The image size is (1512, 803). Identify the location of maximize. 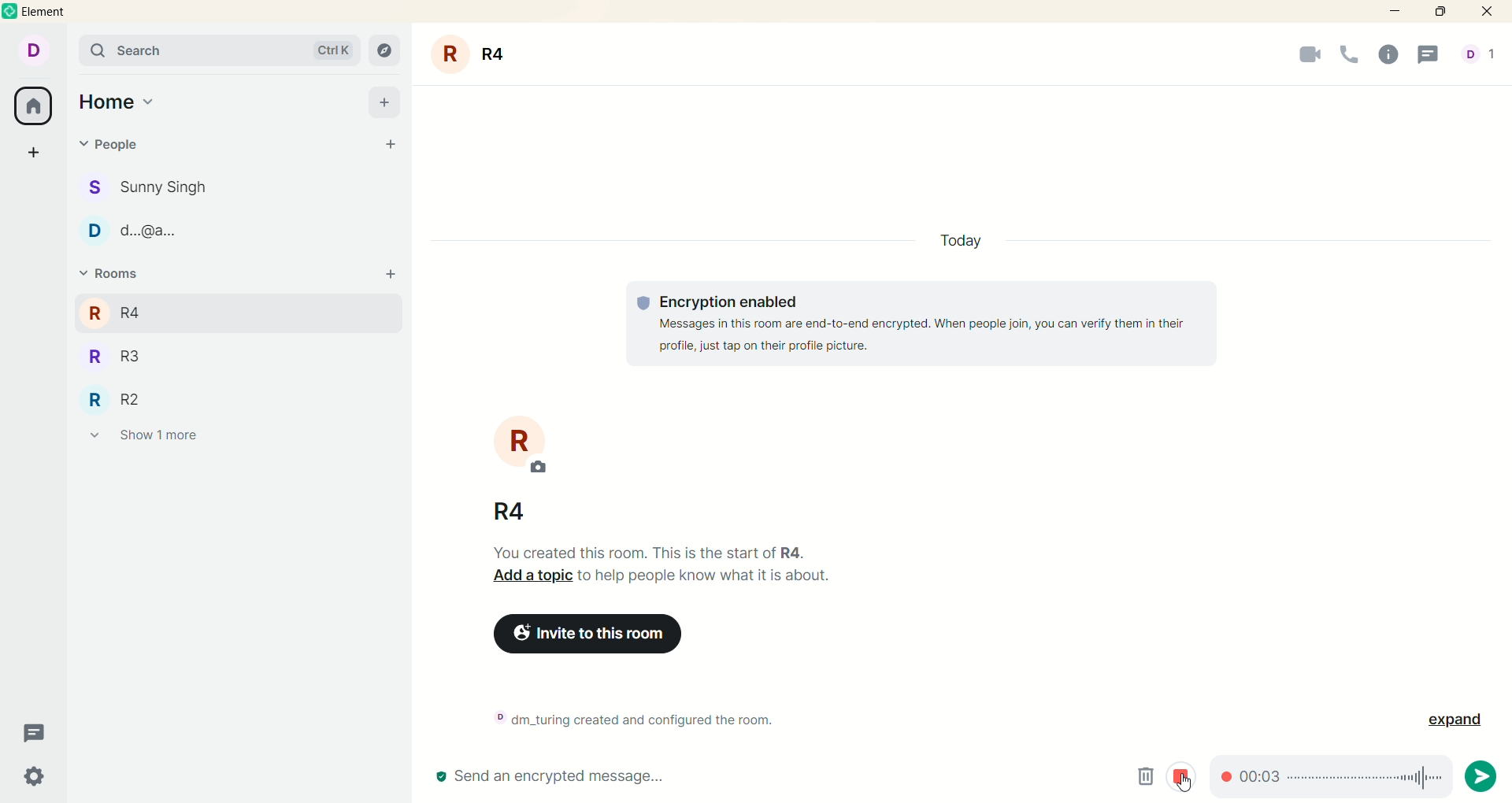
(1445, 13).